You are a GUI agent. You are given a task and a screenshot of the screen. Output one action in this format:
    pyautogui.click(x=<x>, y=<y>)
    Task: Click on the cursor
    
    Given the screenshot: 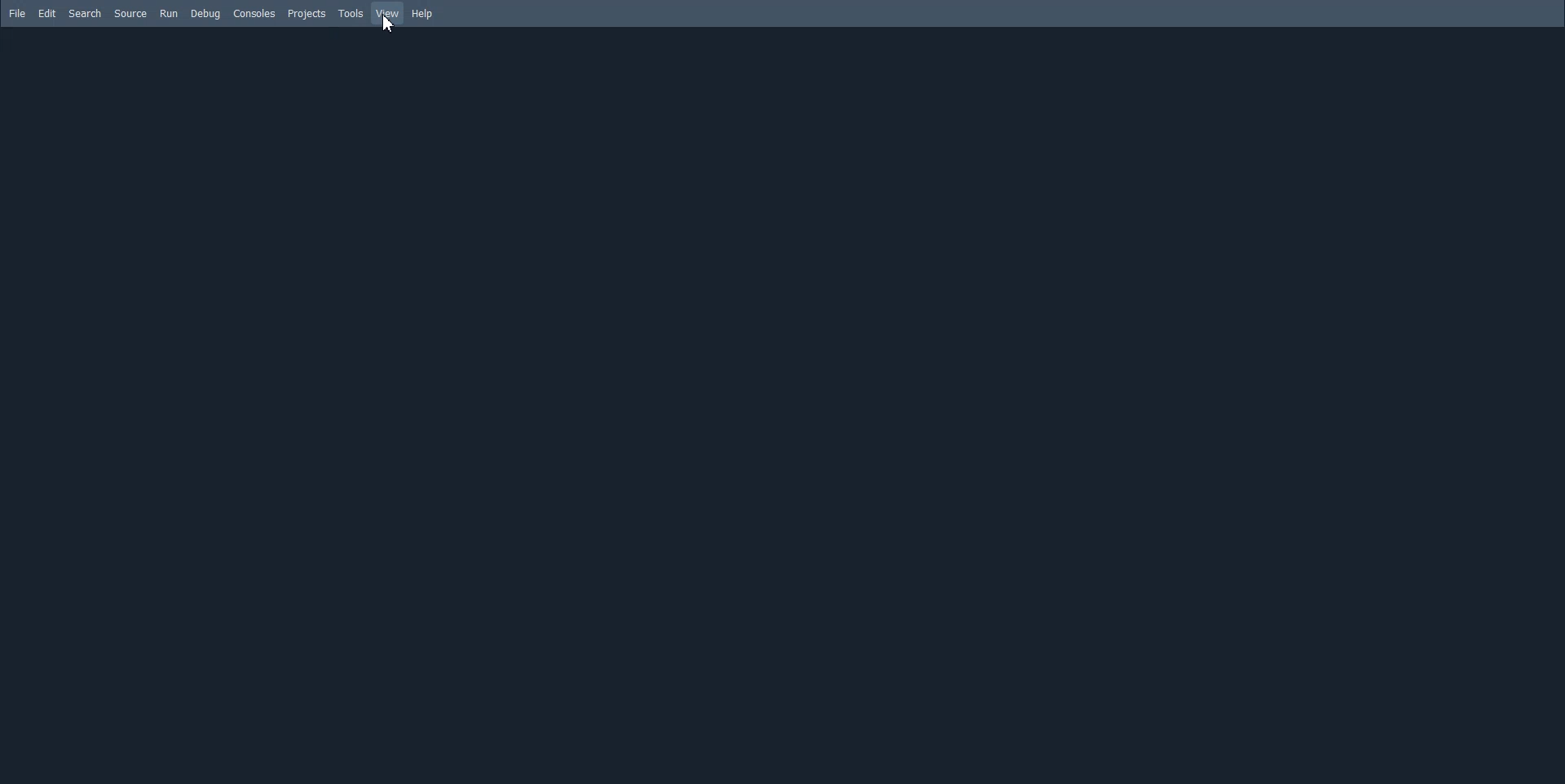 What is the action you would take?
    pyautogui.click(x=390, y=24)
    